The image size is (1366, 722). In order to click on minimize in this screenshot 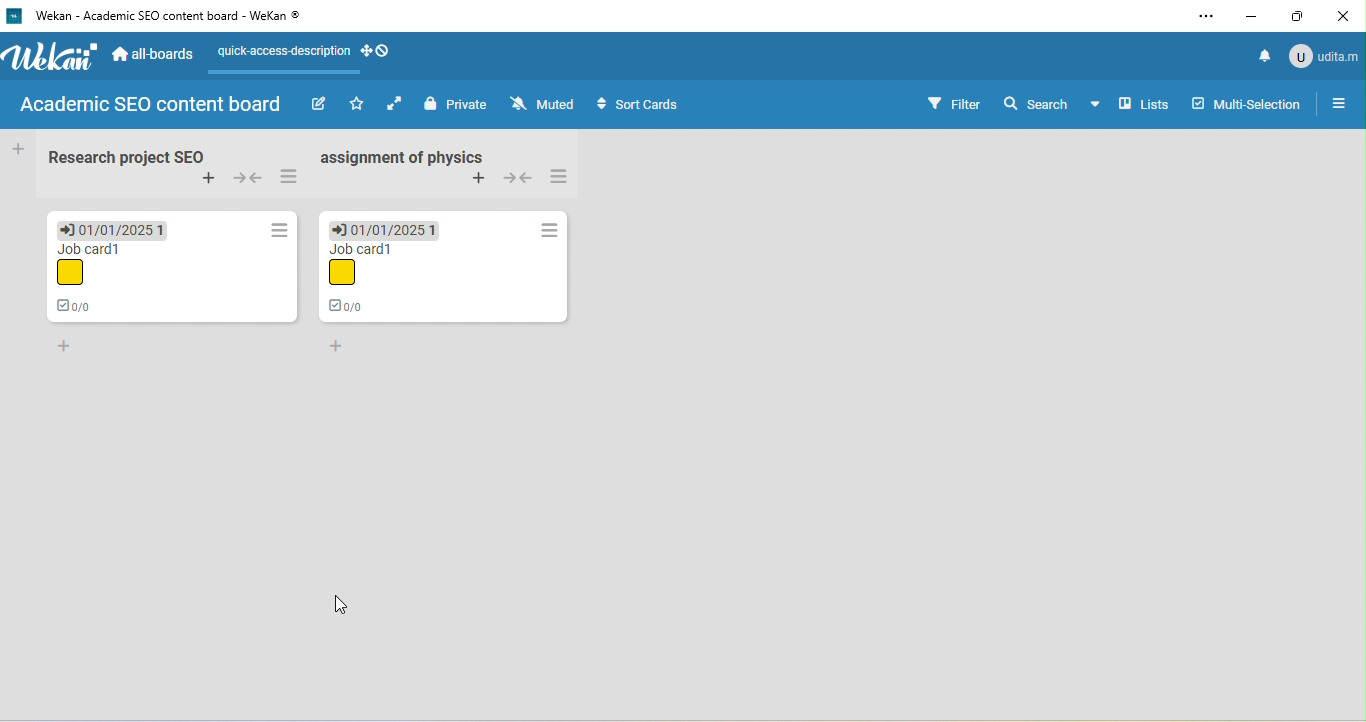, I will do `click(1252, 14)`.